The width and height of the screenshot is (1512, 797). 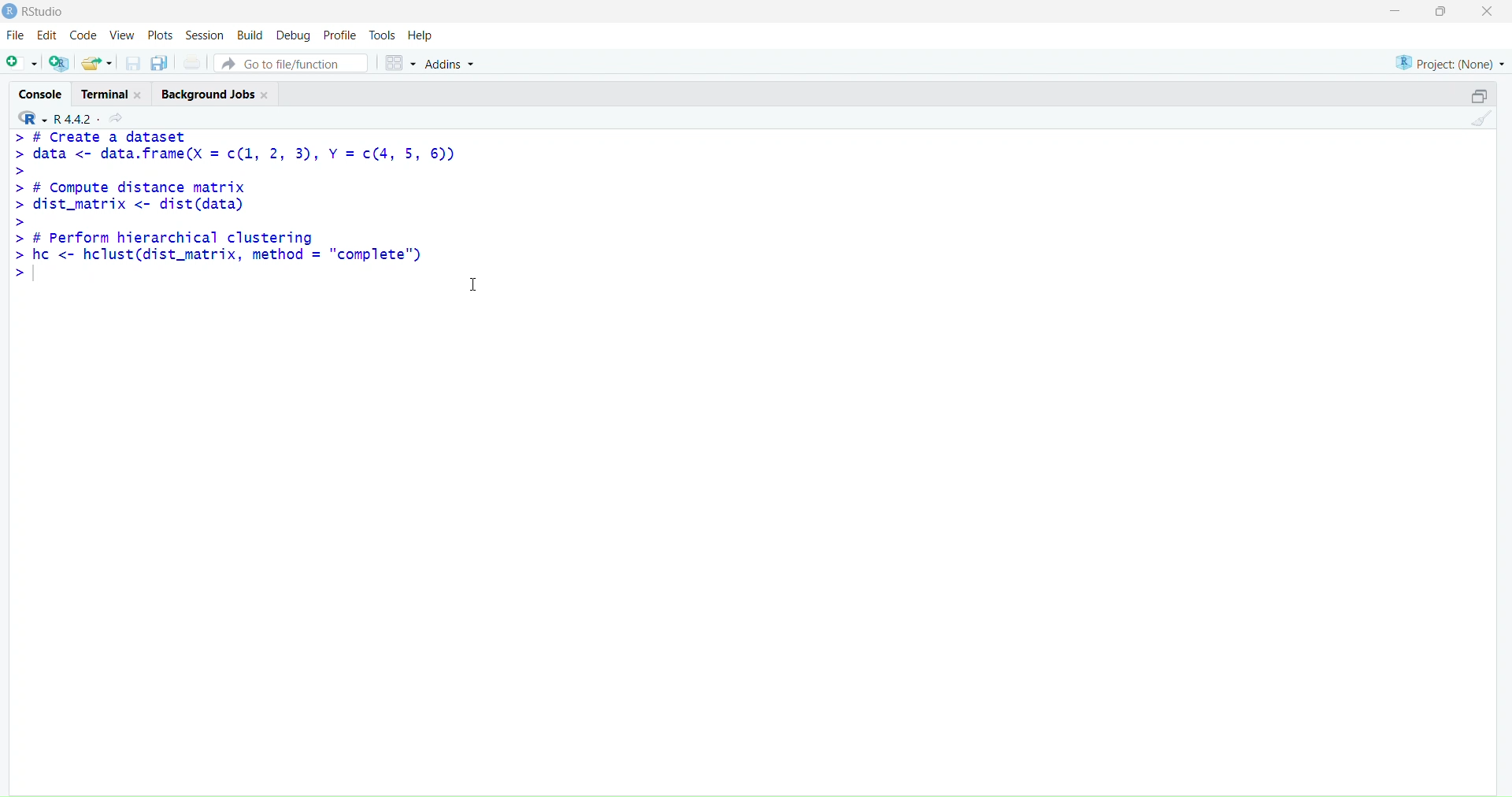 I want to click on Maximize, so click(x=1475, y=96).